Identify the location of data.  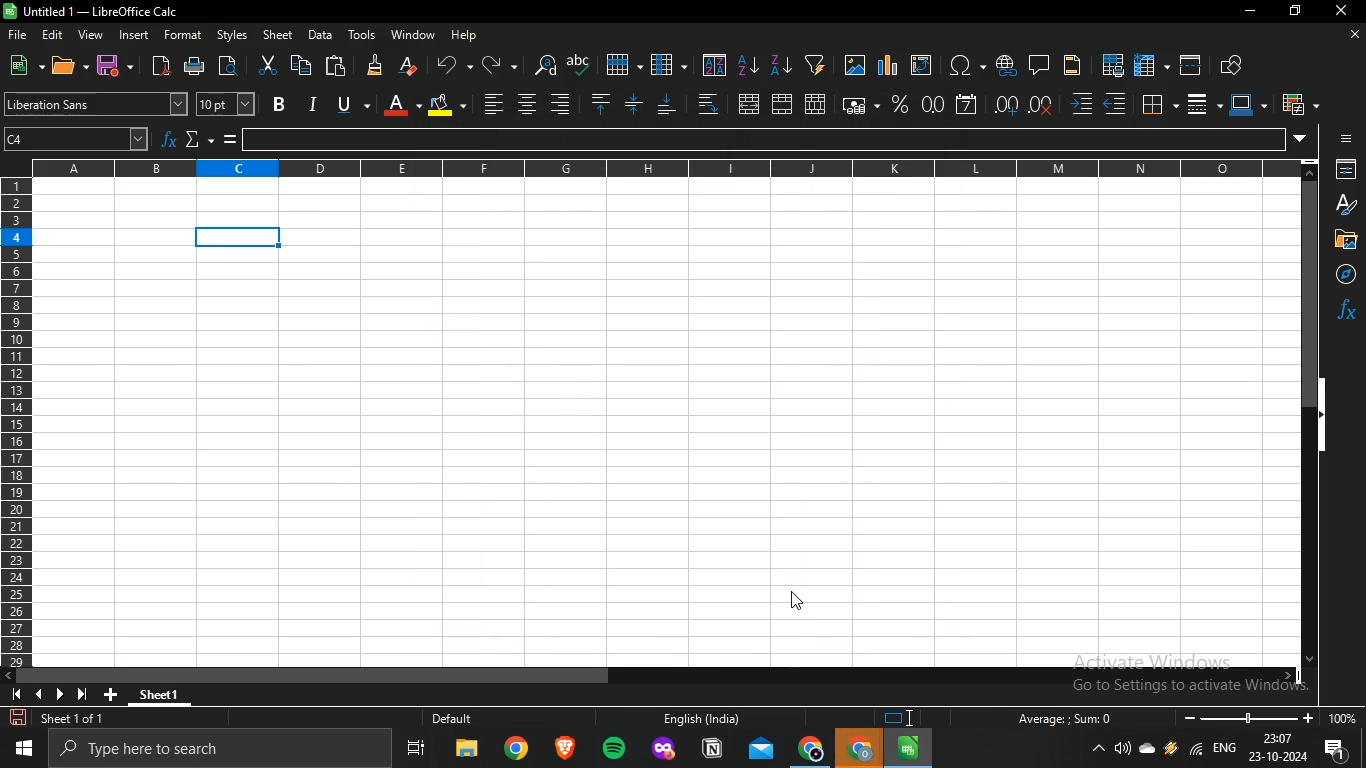
(319, 34).